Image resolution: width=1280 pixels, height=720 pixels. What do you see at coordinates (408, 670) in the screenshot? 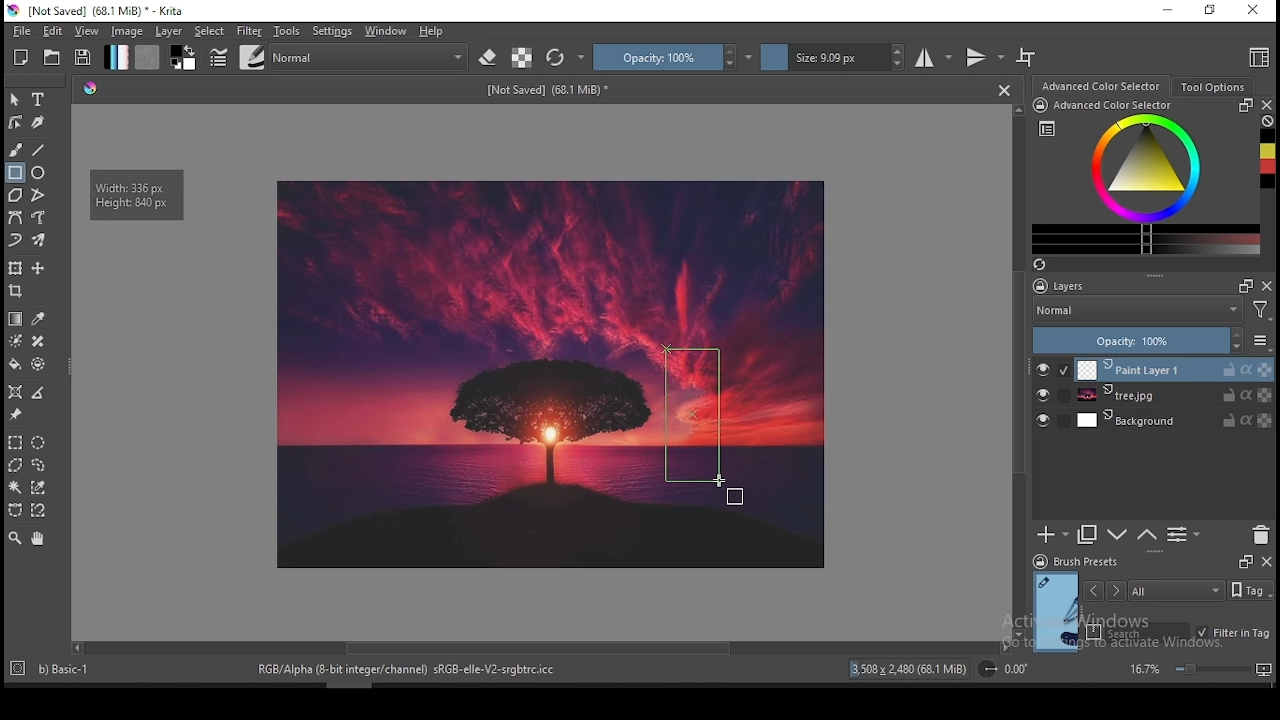
I see `'RGB/Alpha (8-bit integer/channel) sRGB-elle-V2-srgbtre.icc` at bounding box center [408, 670].